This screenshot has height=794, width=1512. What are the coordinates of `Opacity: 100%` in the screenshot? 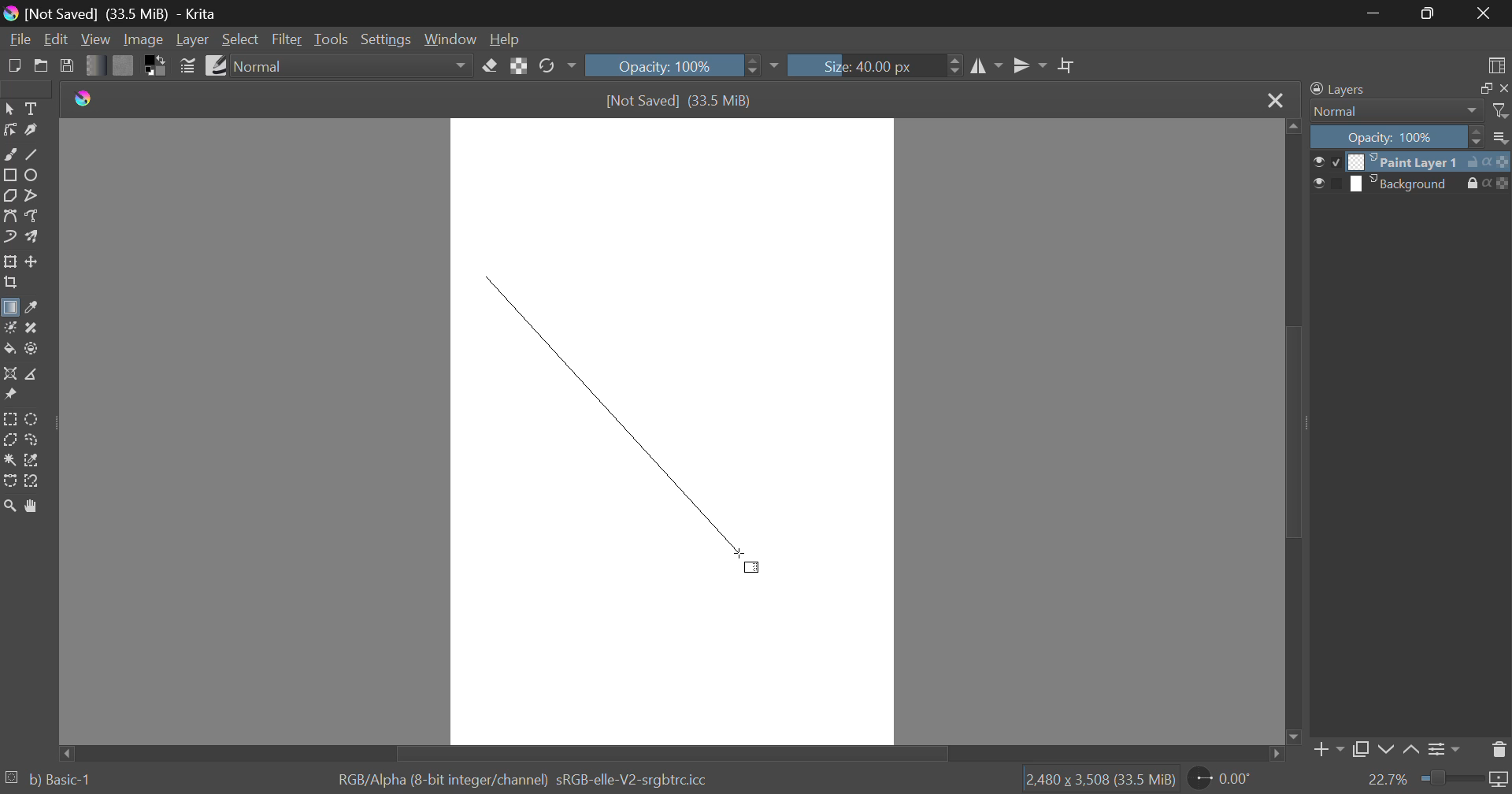 It's located at (680, 65).